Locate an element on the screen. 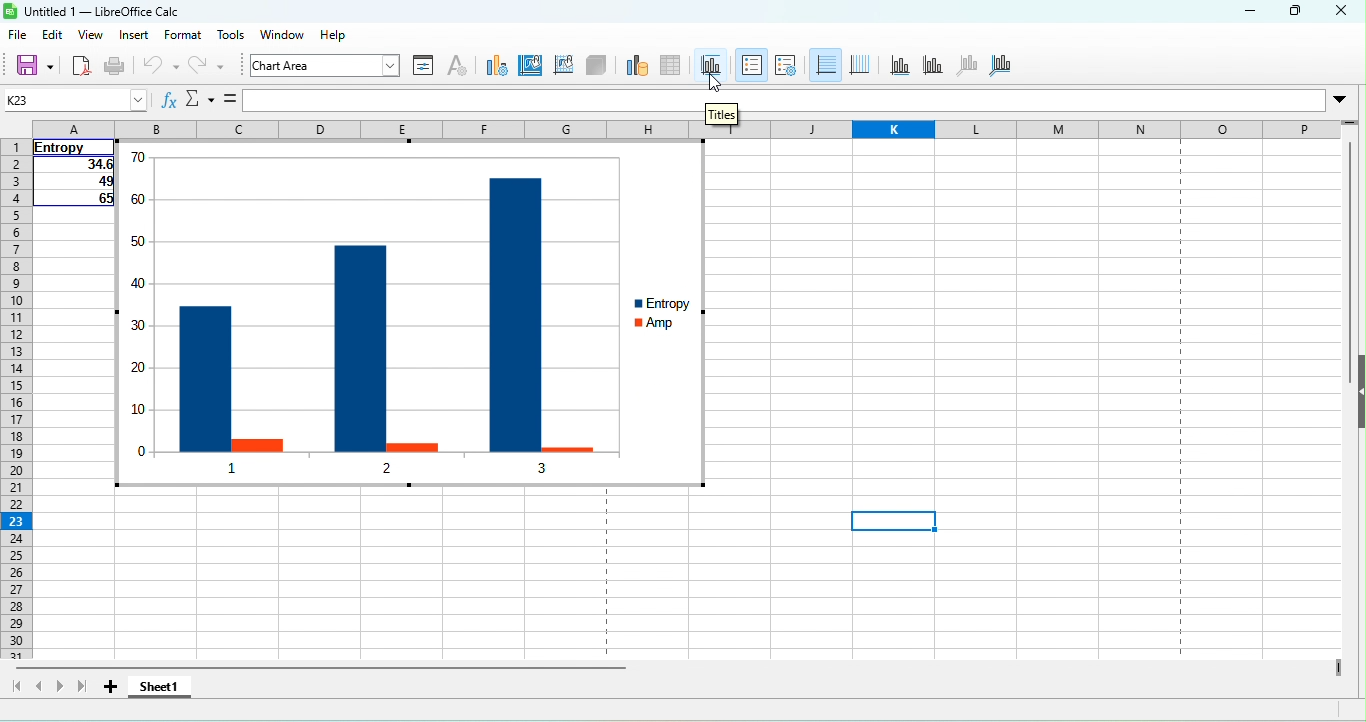 The image size is (1366, 722). horizontal gids is located at coordinates (825, 66).